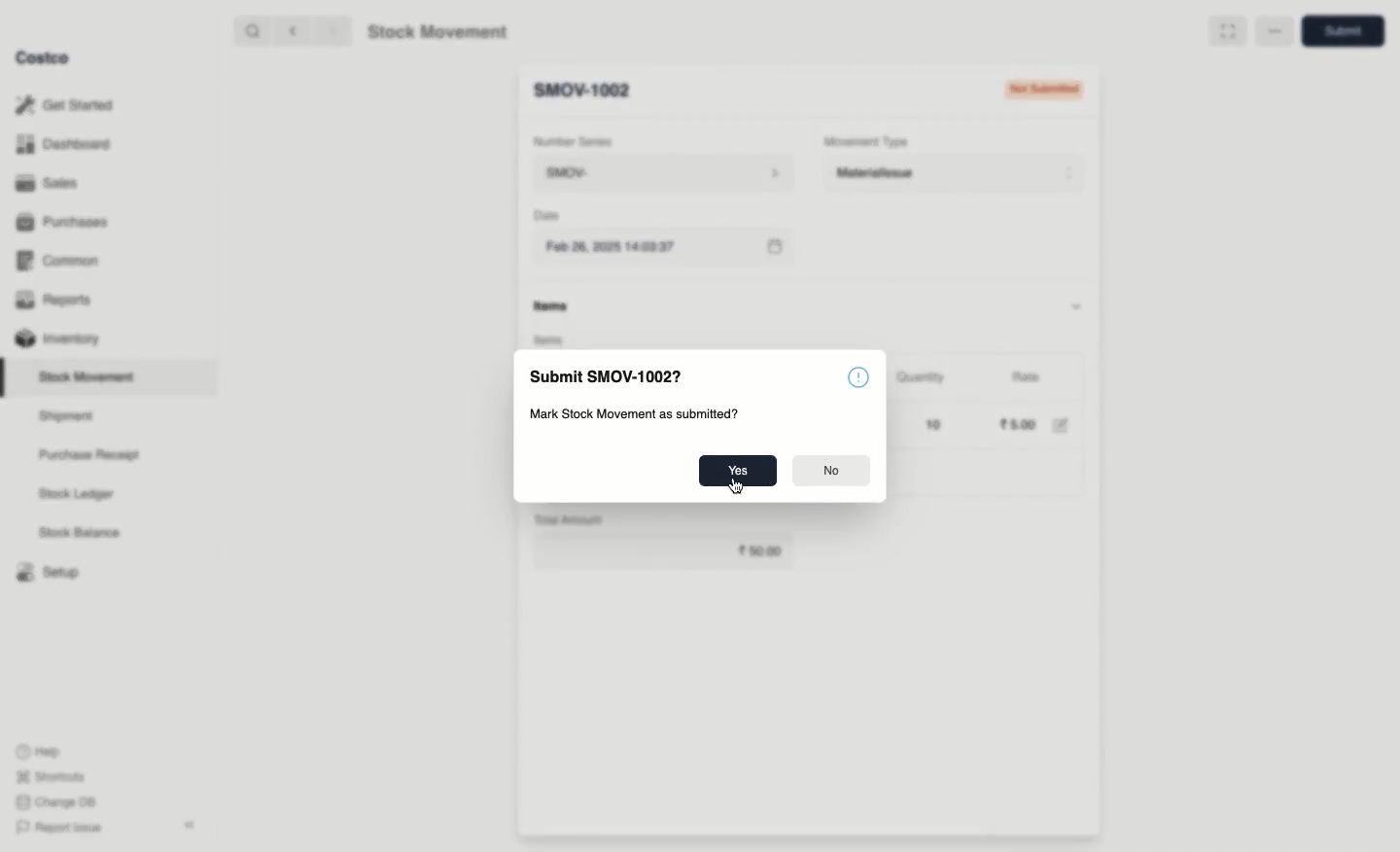  Describe the element at coordinates (328, 30) in the screenshot. I see `forward` at that location.